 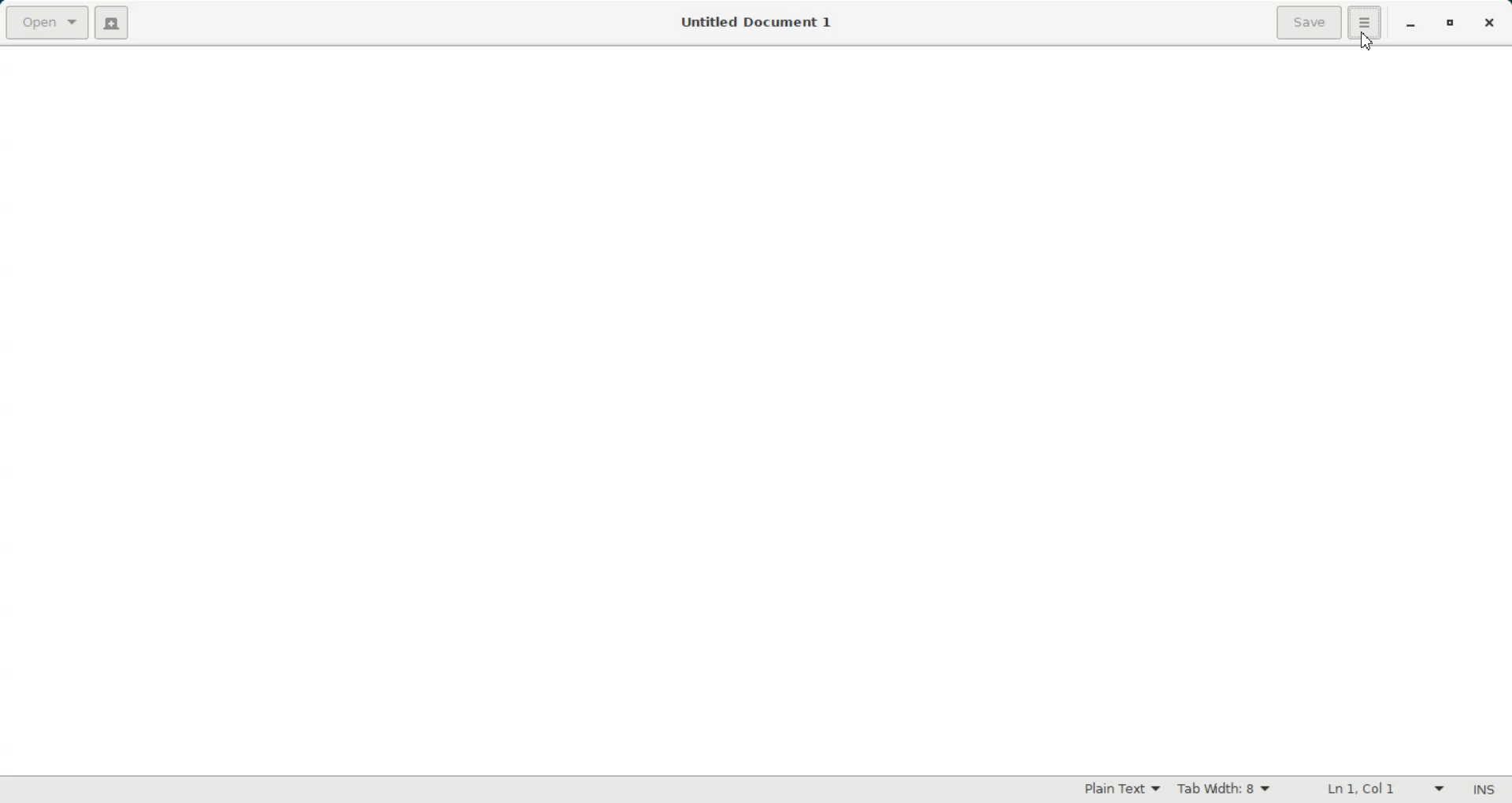 What do you see at coordinates (1223, 789) in the screenshot?
I see `Tab Width` at bounding box center [1223, 789].